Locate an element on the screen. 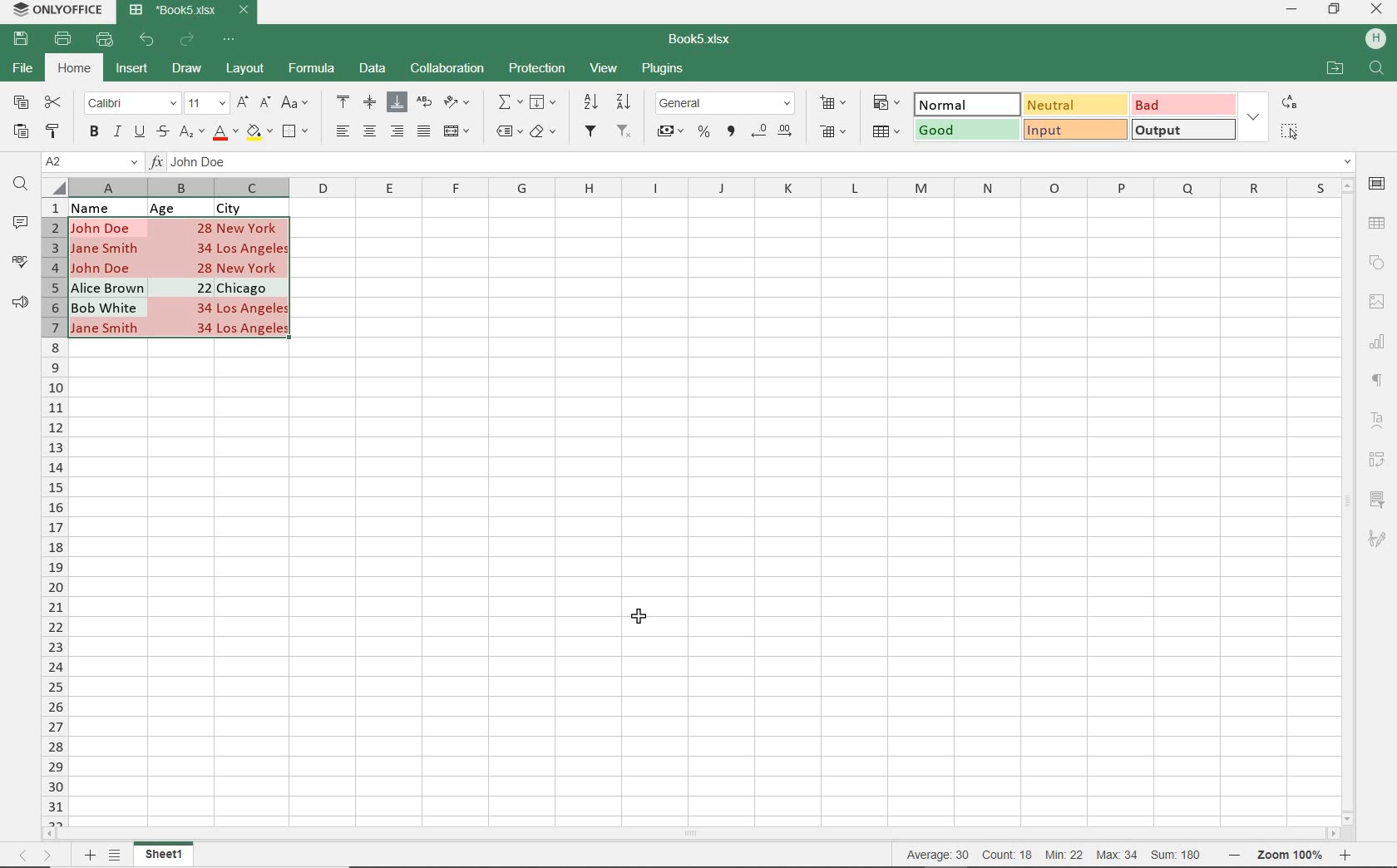 This screenshot has width=1397, height=868. COPY STYLE is located at coordinates (53, 129).